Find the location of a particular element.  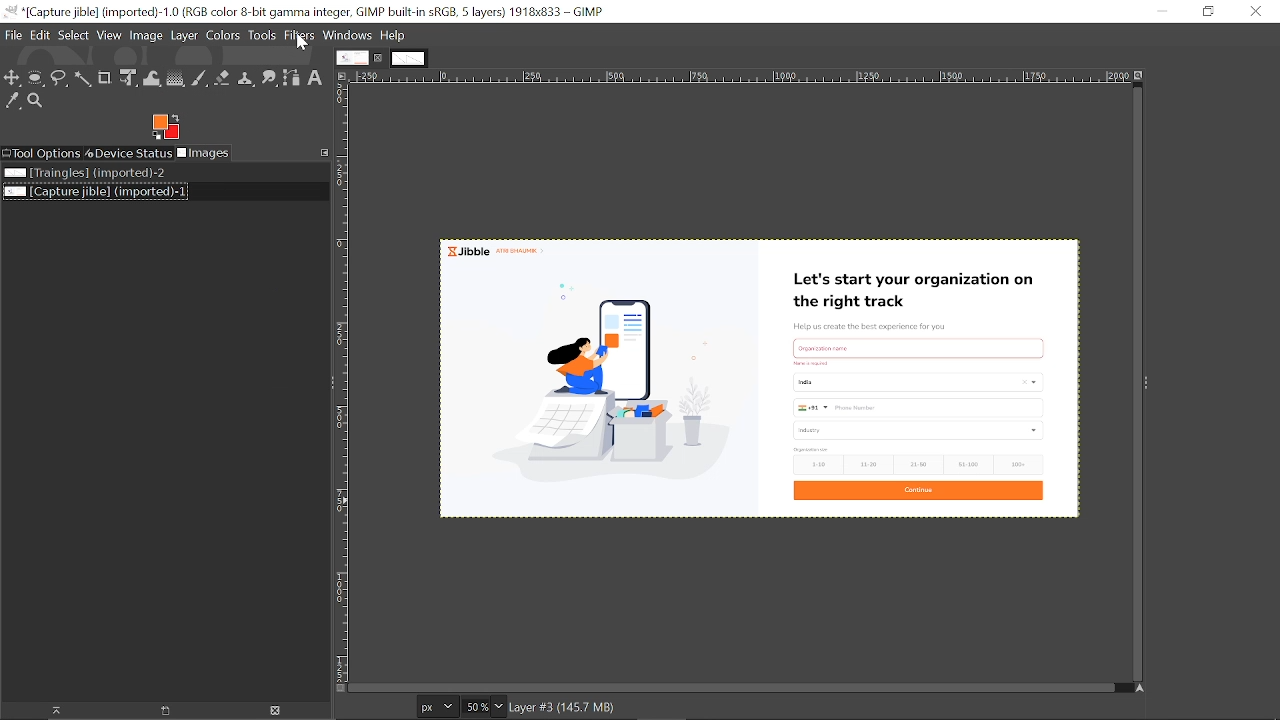

Current zoom is located at coordinates (475, 706).